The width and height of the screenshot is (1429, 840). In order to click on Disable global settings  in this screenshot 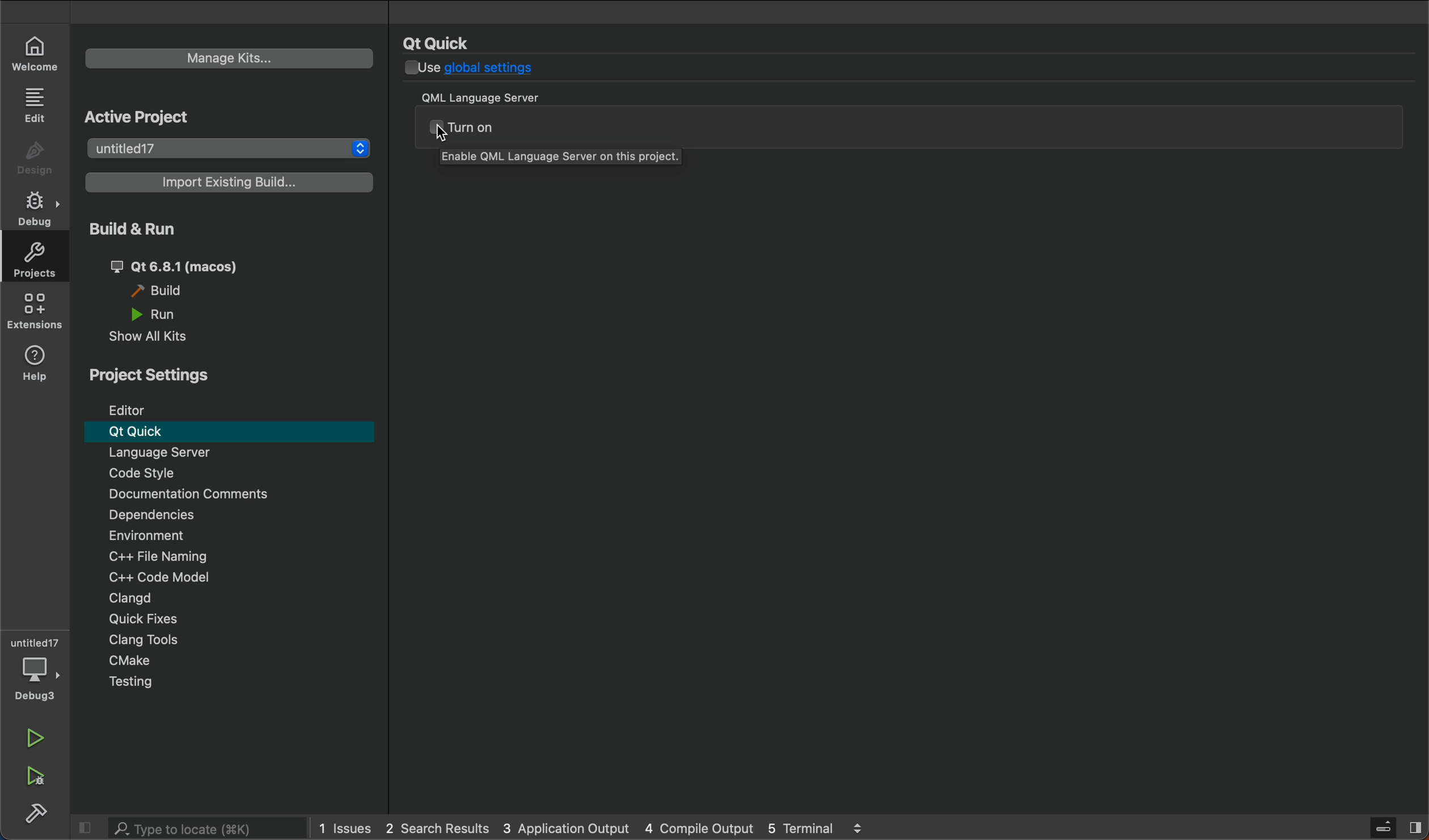, I will do `click(484, 70)`.